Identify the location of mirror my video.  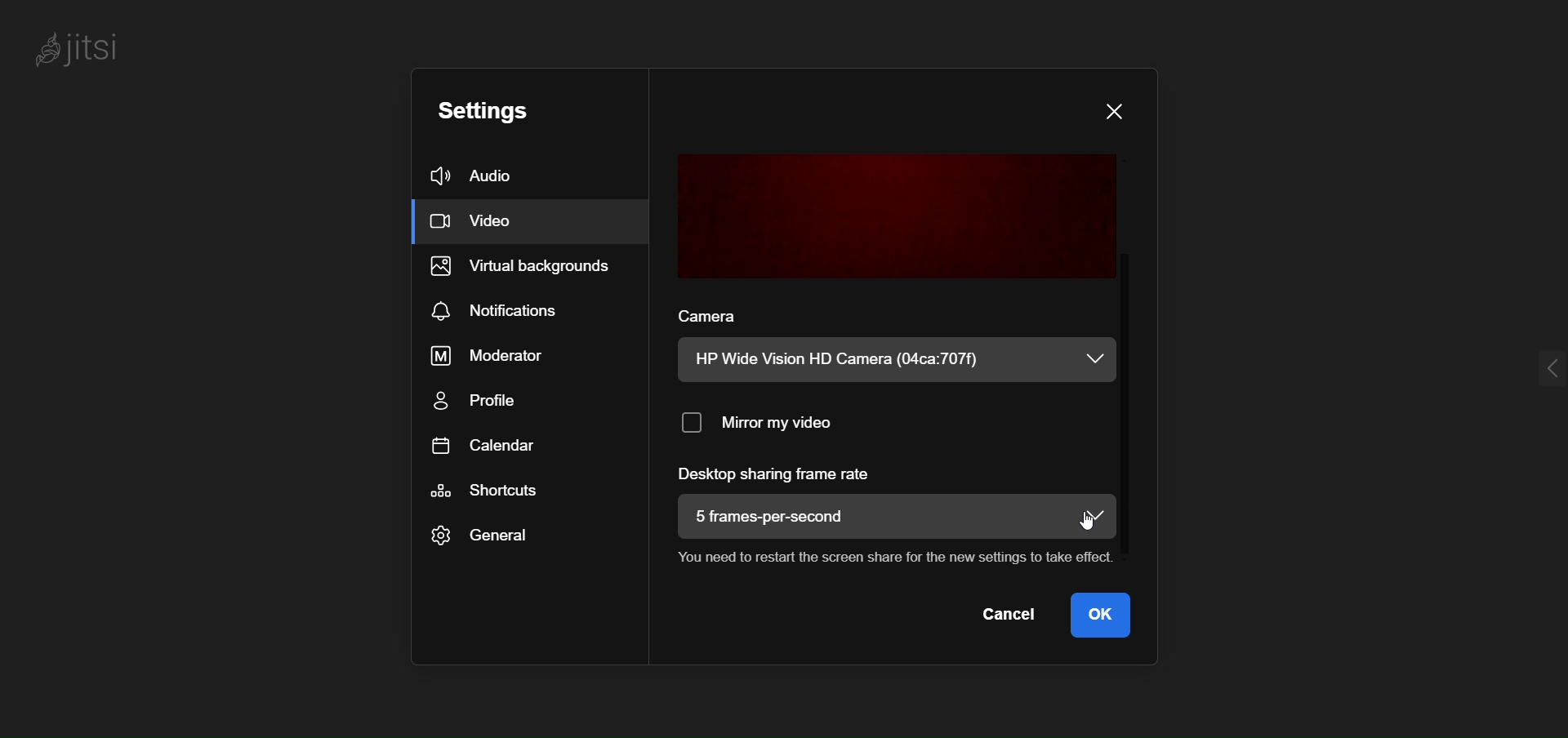
(770, 419).